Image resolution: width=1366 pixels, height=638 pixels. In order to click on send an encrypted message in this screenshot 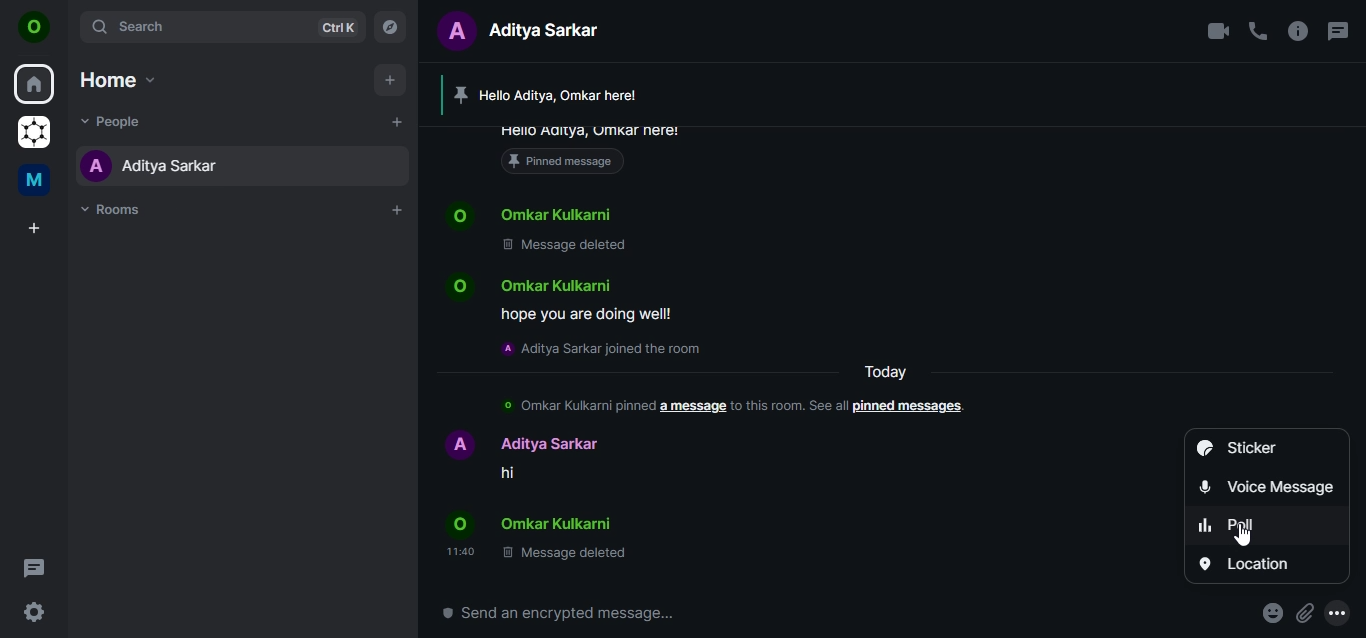, I will do `click(669, 619)`.